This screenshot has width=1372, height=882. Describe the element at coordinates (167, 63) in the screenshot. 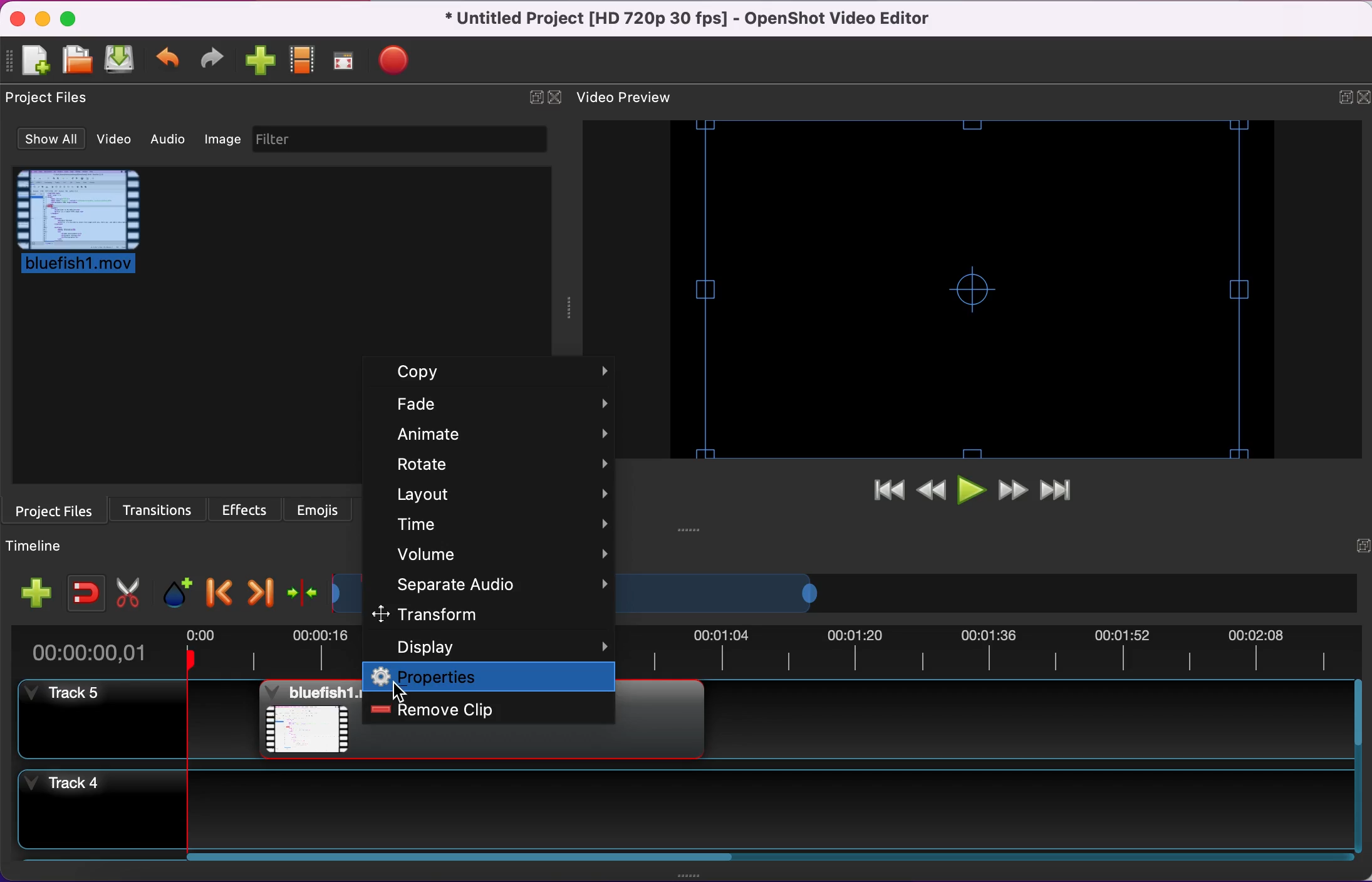

I see `undo` at that location.